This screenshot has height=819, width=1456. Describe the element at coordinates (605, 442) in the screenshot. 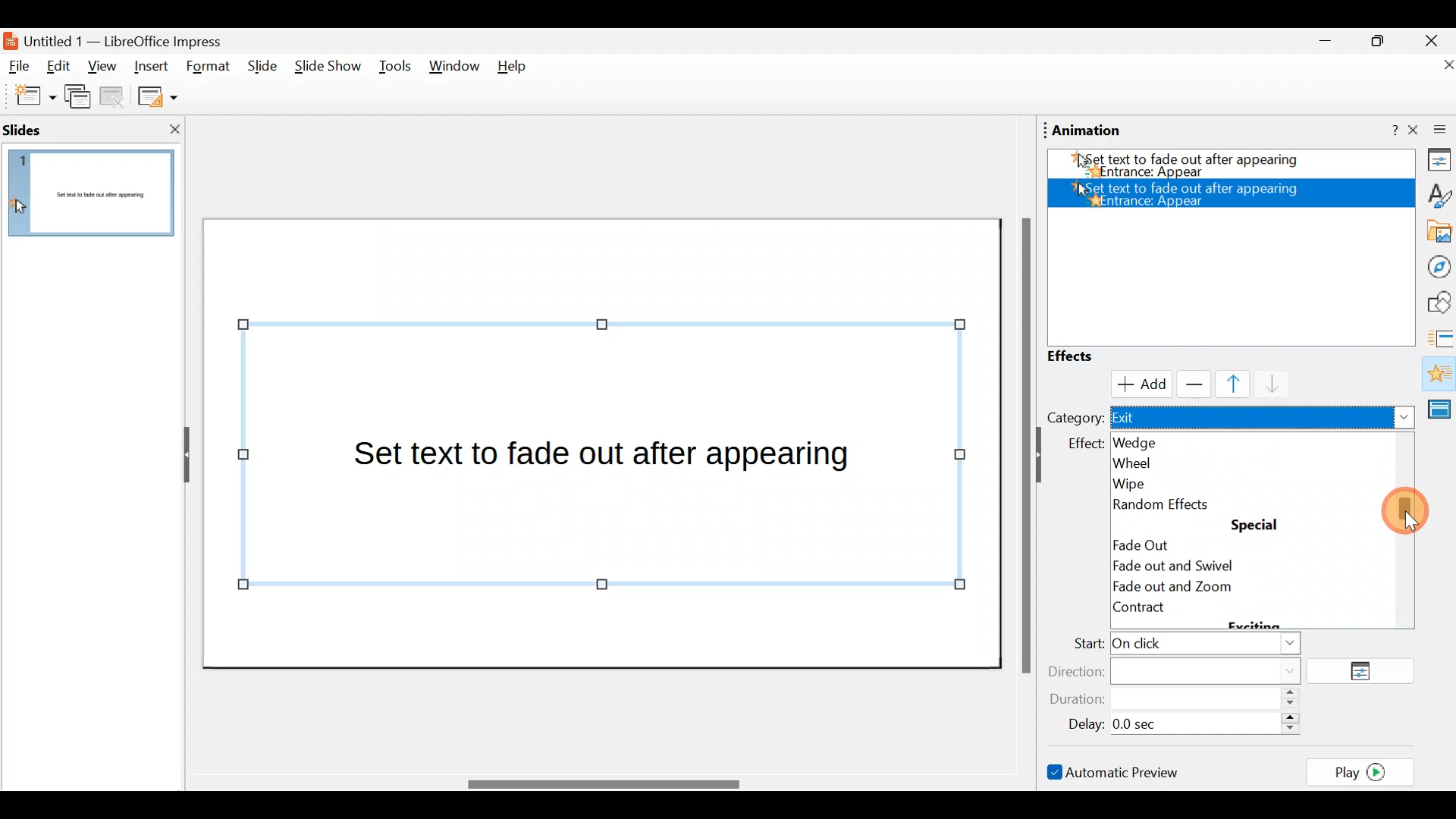

I see `Presentation slide` at that location.